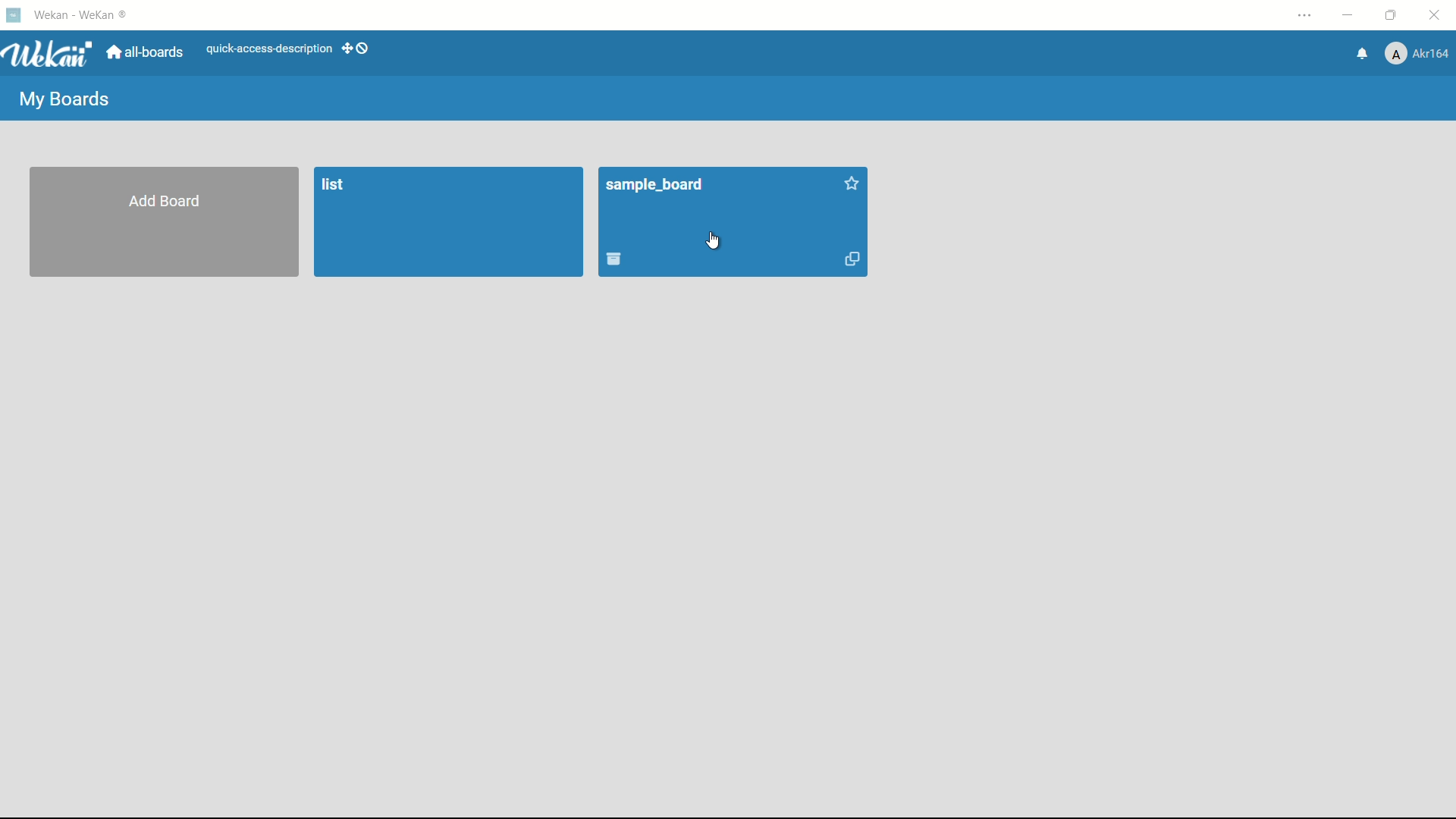 This screenshot has width=1456, height=819. Describe the element at coordinates (1417, 53) in the screenshot. I see `profile` at that location.